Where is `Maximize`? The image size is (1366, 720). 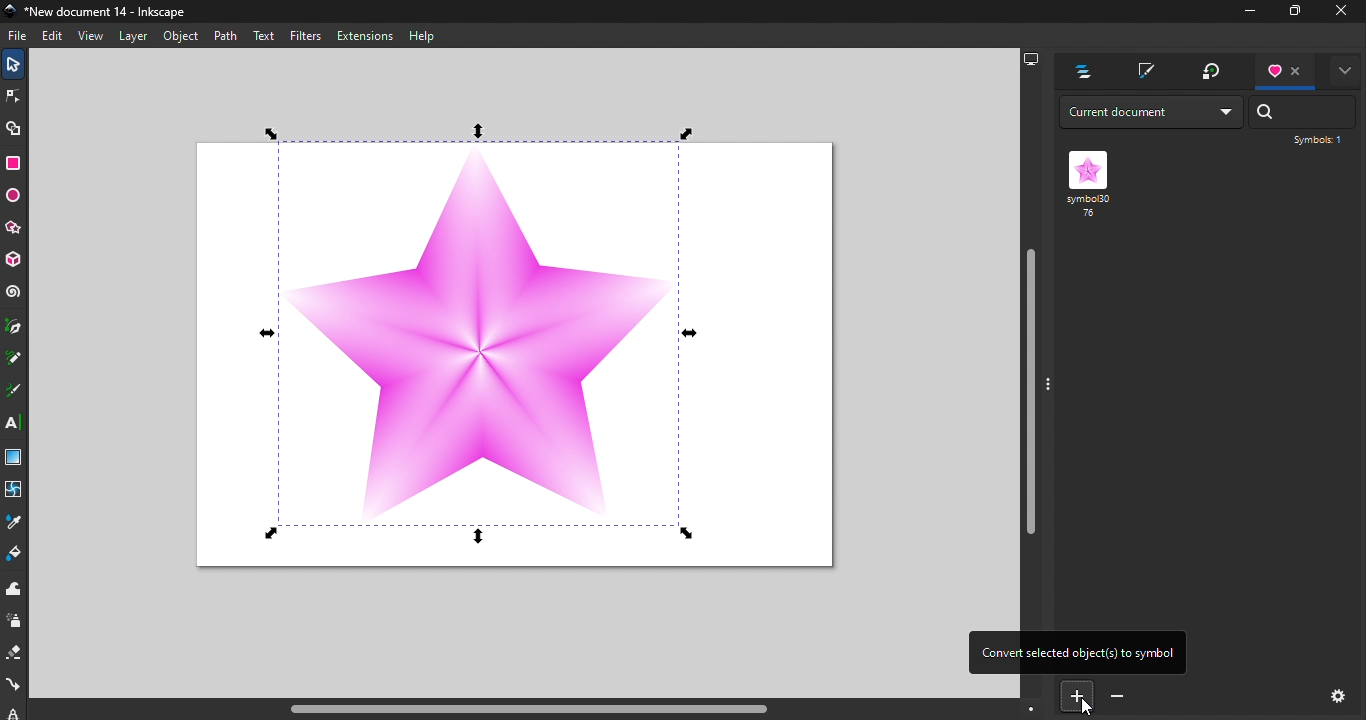 Maximize is located at coordinates (1288, 12).